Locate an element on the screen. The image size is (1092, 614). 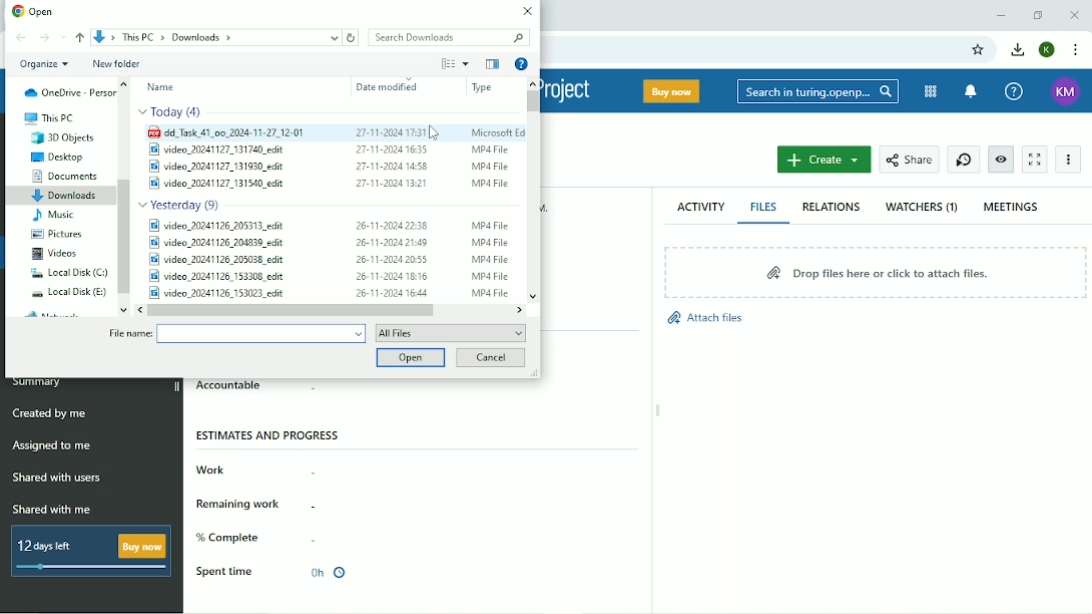
Help is located at coordinates (1016, 91).